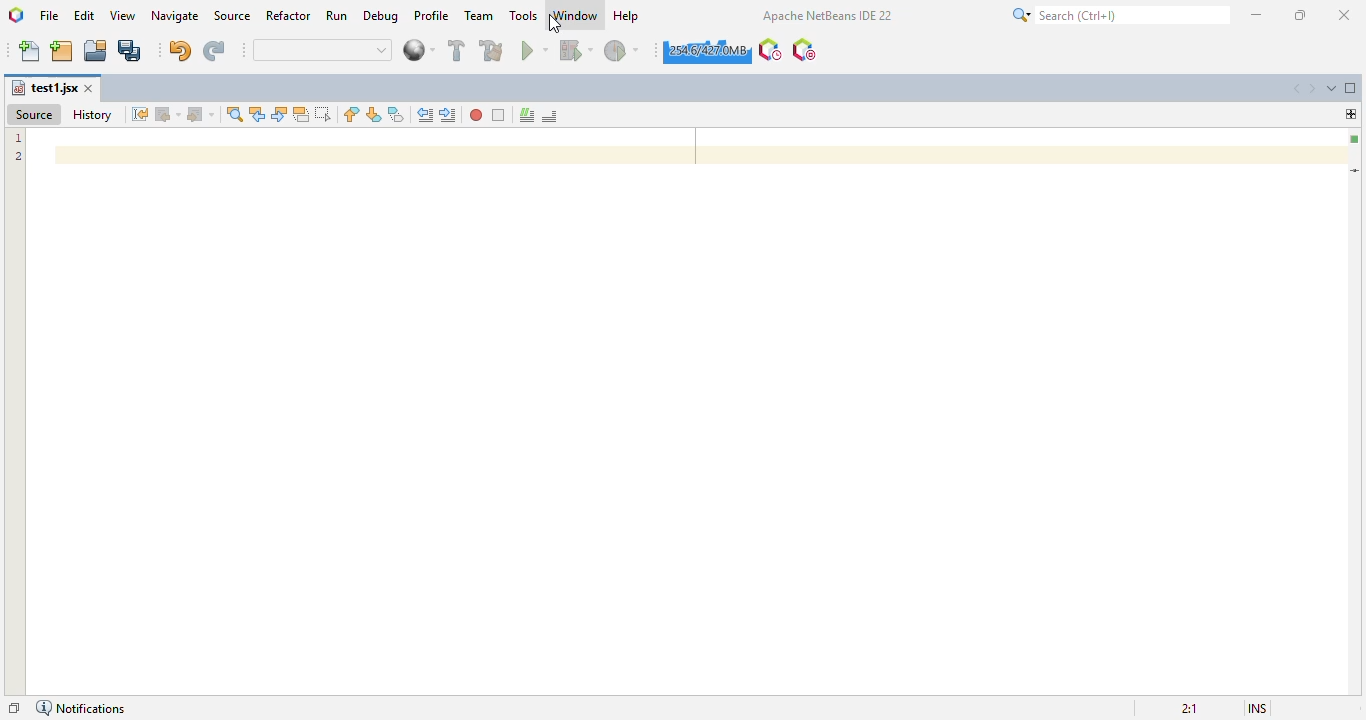 The image size is (1366, 720). I want to click on stop macro recording, so click(499, 116).